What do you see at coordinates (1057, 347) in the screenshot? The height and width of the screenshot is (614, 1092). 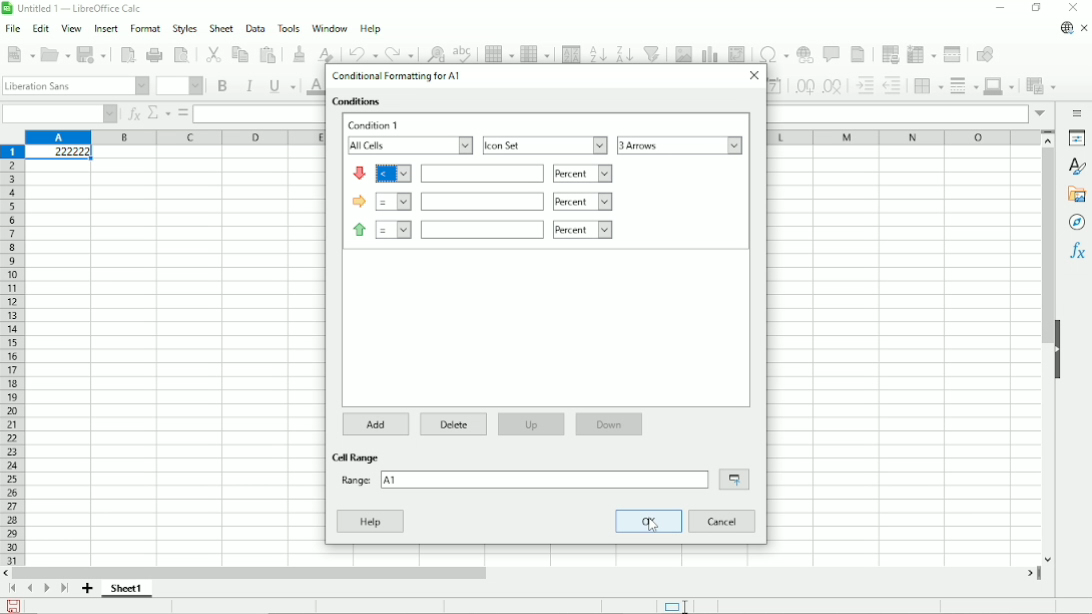 I see `Hide` at bounding box center [1057, 347].